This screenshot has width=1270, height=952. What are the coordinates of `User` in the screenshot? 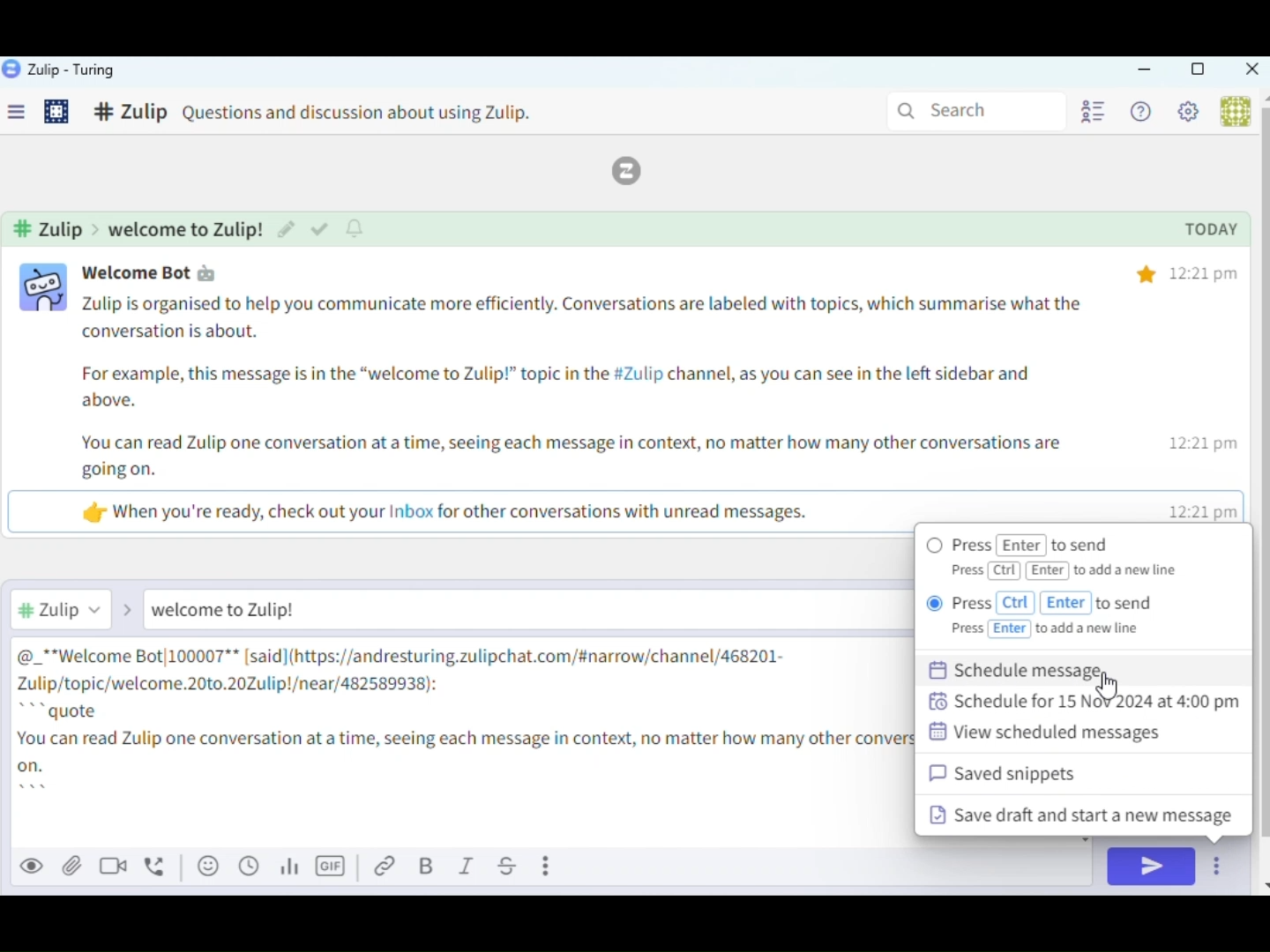 It's located at (78, 608).